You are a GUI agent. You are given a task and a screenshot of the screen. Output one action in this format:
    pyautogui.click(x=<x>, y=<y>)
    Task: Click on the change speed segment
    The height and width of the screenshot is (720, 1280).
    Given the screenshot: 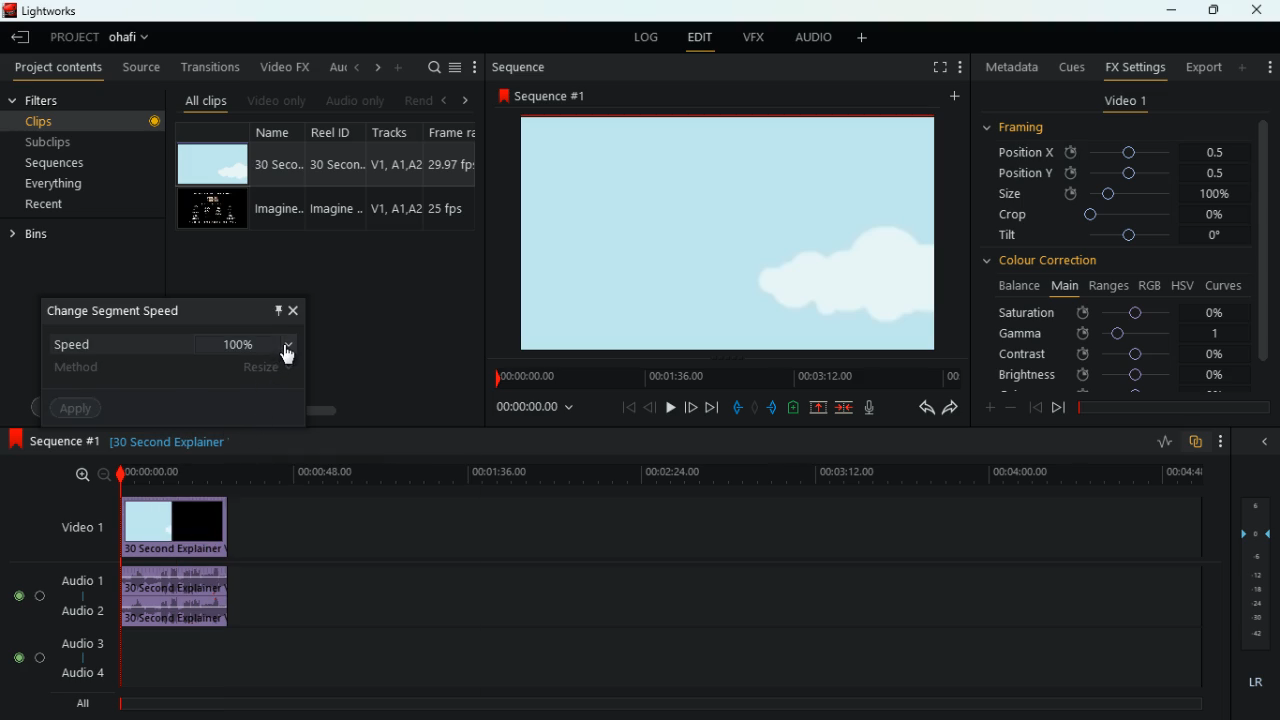 What is the action you would take?
    pyautogui.click(x=125, y=313)
    